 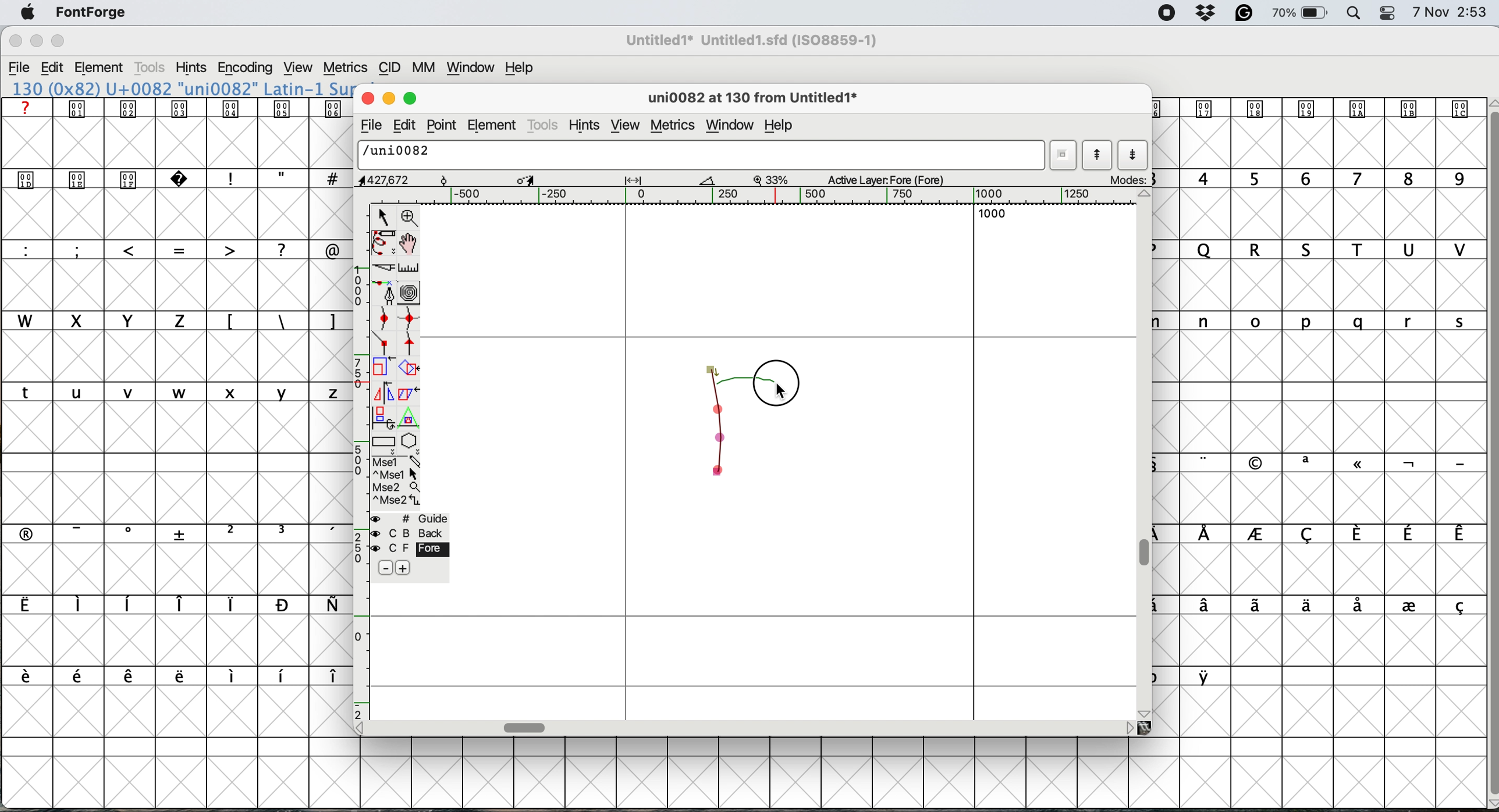 I want to click on dropbox, so click(x=1208, y=13).